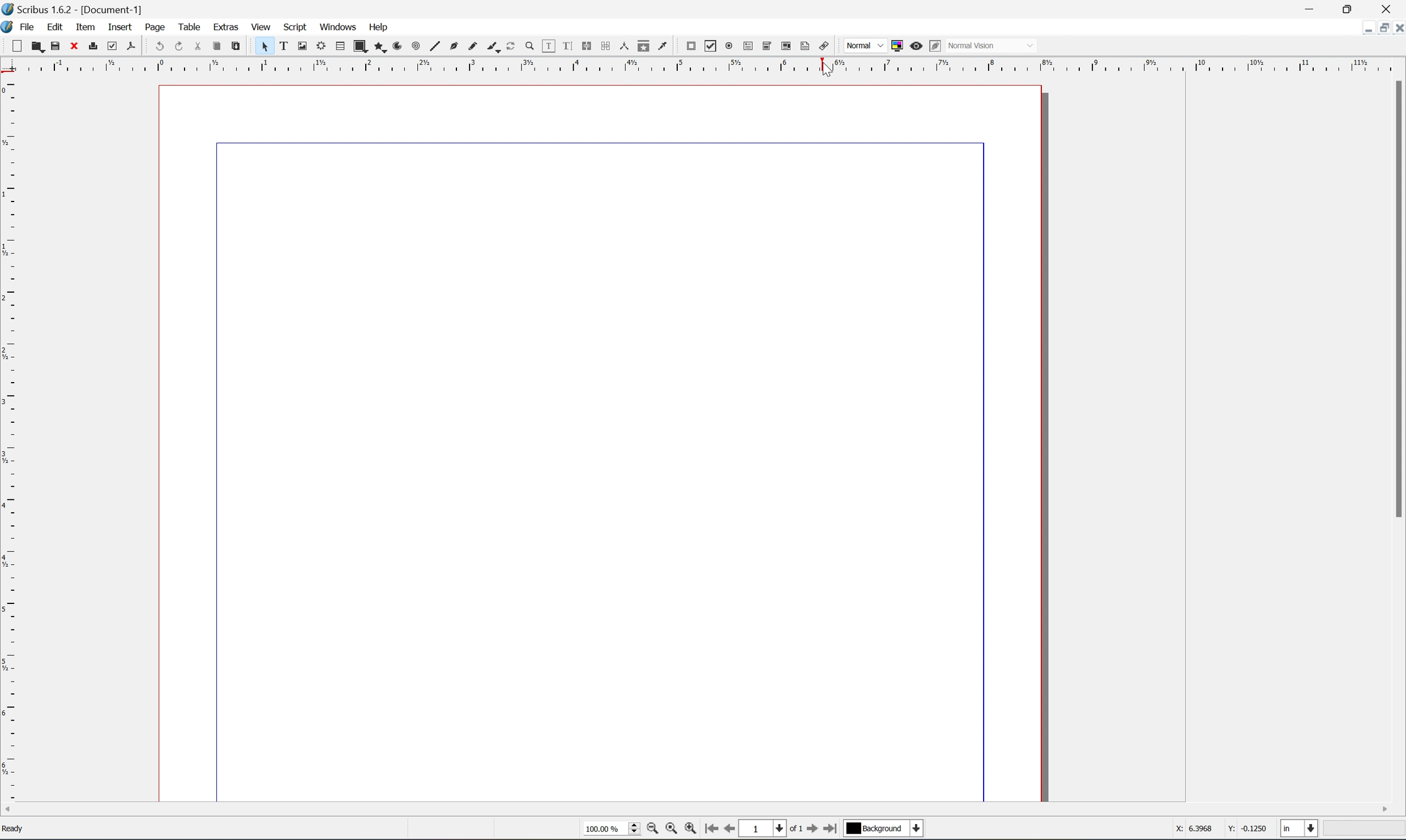  I want to click on close, so click(73, 46).